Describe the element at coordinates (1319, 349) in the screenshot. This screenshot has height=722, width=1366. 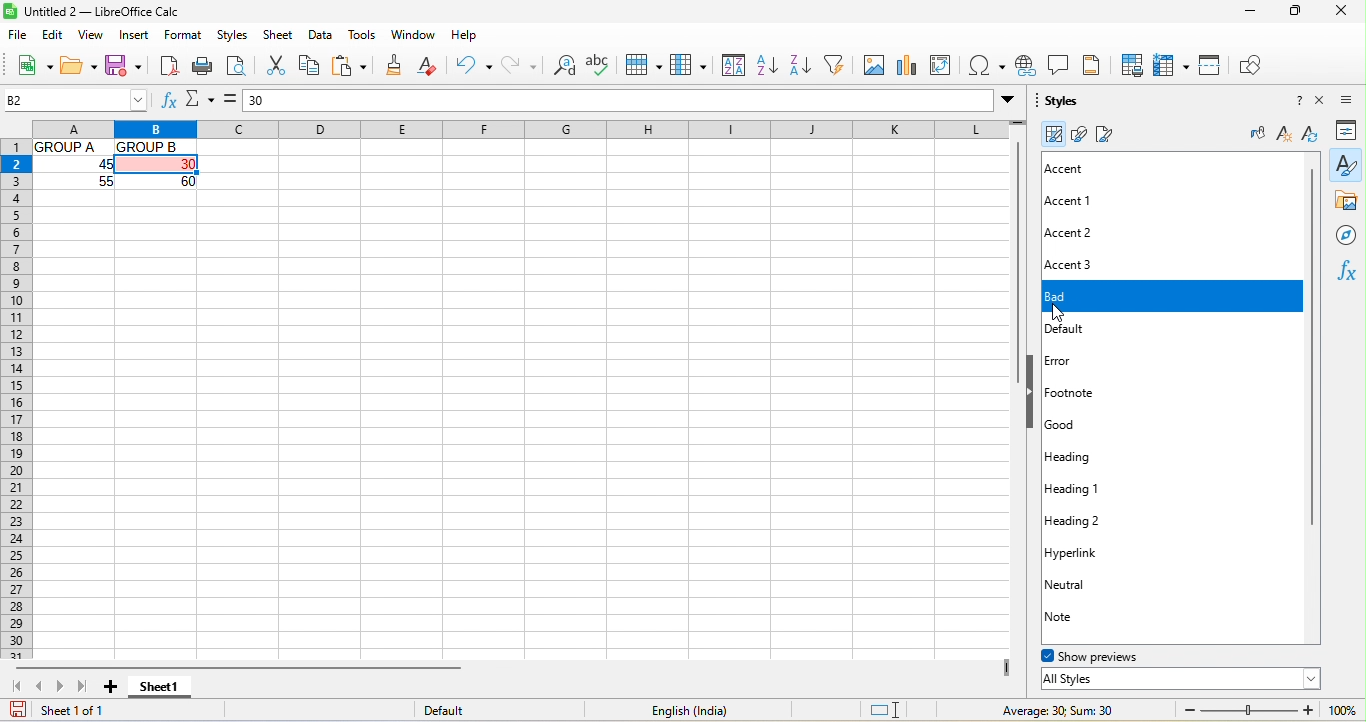
I see `vertical scroll bar` at that location.